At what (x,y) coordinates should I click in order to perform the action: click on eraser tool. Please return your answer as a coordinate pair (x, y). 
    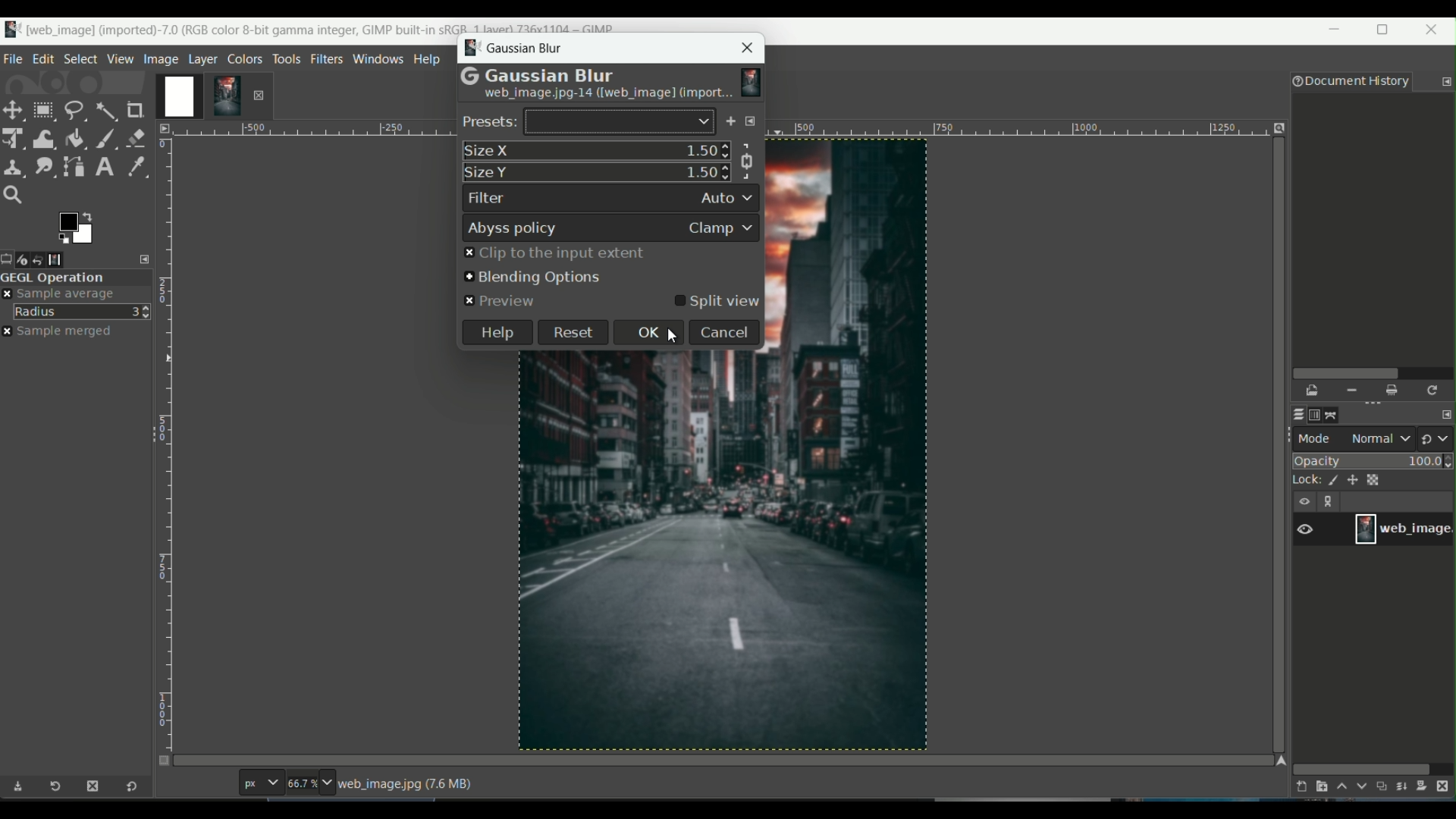
    Looking at the image, I should click on (137, 136).